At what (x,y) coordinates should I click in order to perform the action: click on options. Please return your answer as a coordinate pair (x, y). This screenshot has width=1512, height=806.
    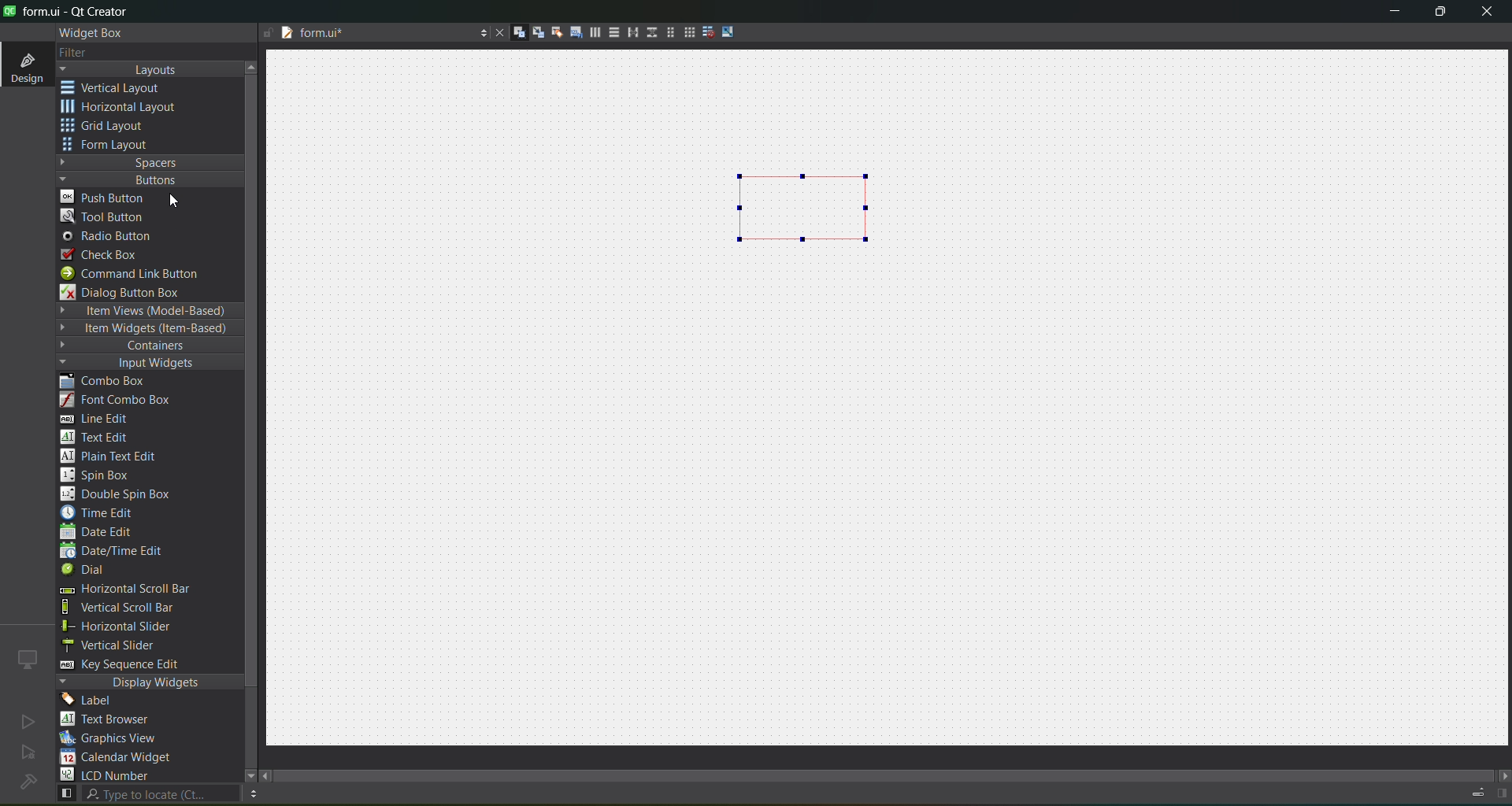
    Looking at the image, I should click on (479, 35).